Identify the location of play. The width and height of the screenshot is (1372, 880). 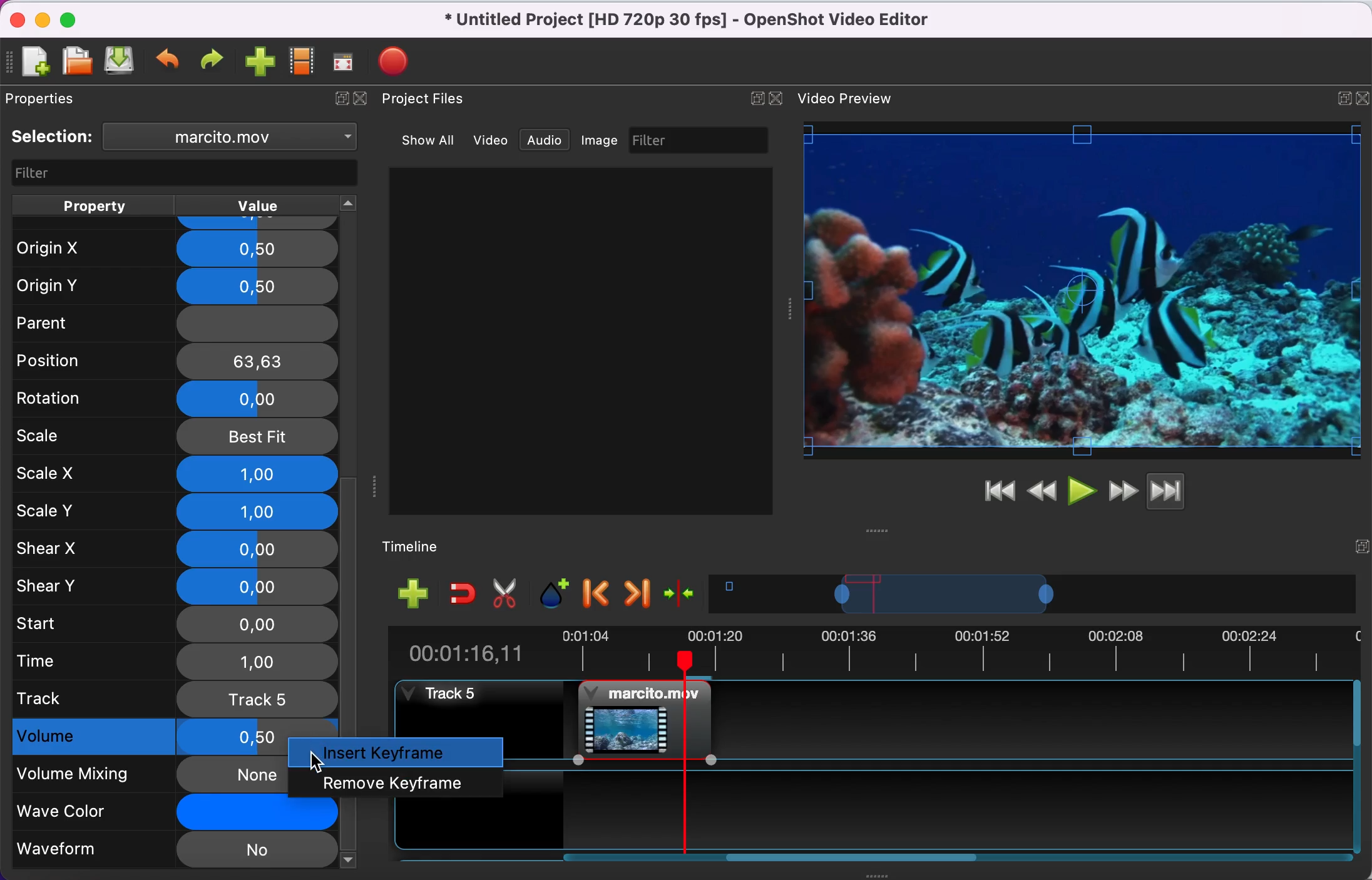
(1082, 489).